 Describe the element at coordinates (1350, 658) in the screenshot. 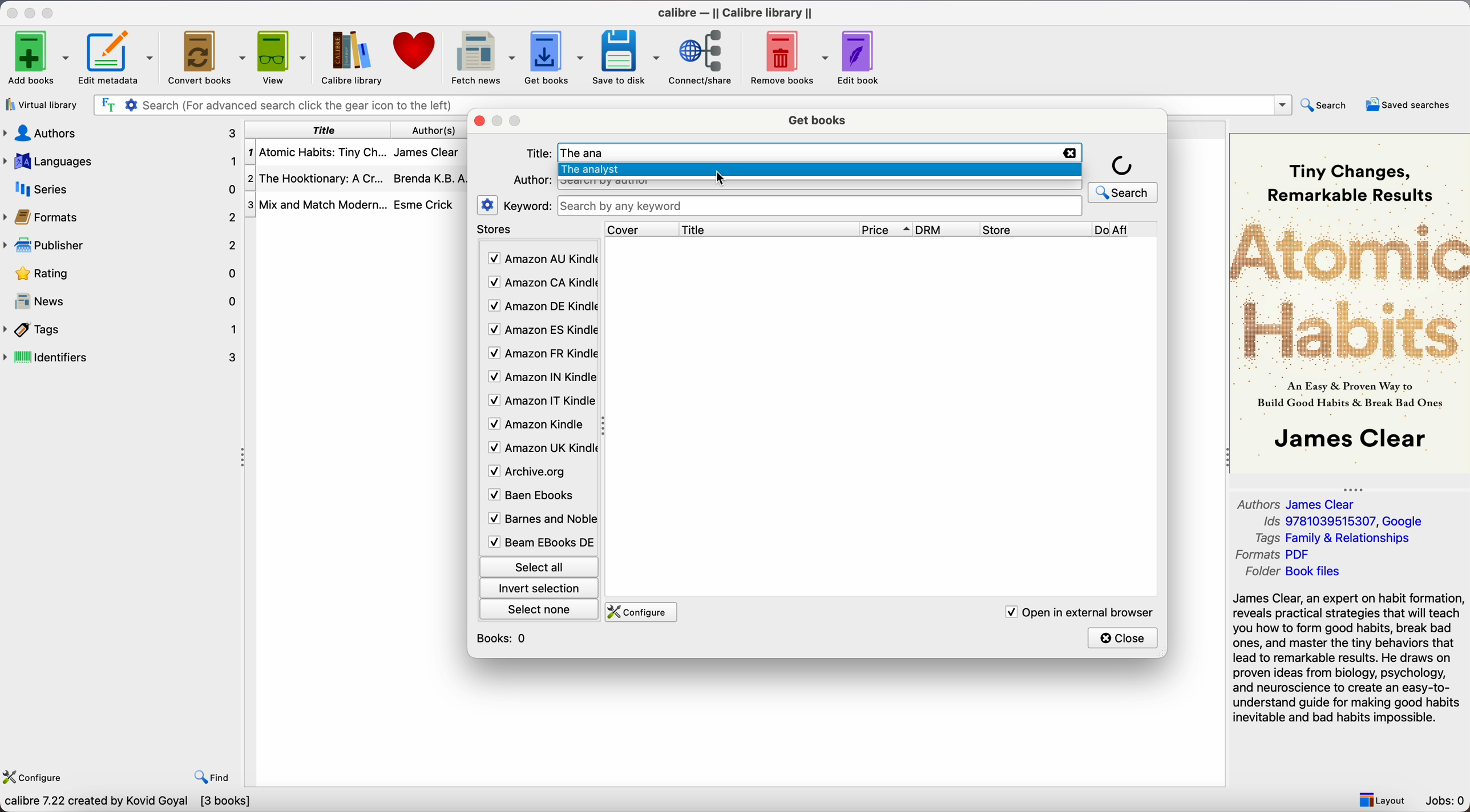

I see `synopsis` at that location.